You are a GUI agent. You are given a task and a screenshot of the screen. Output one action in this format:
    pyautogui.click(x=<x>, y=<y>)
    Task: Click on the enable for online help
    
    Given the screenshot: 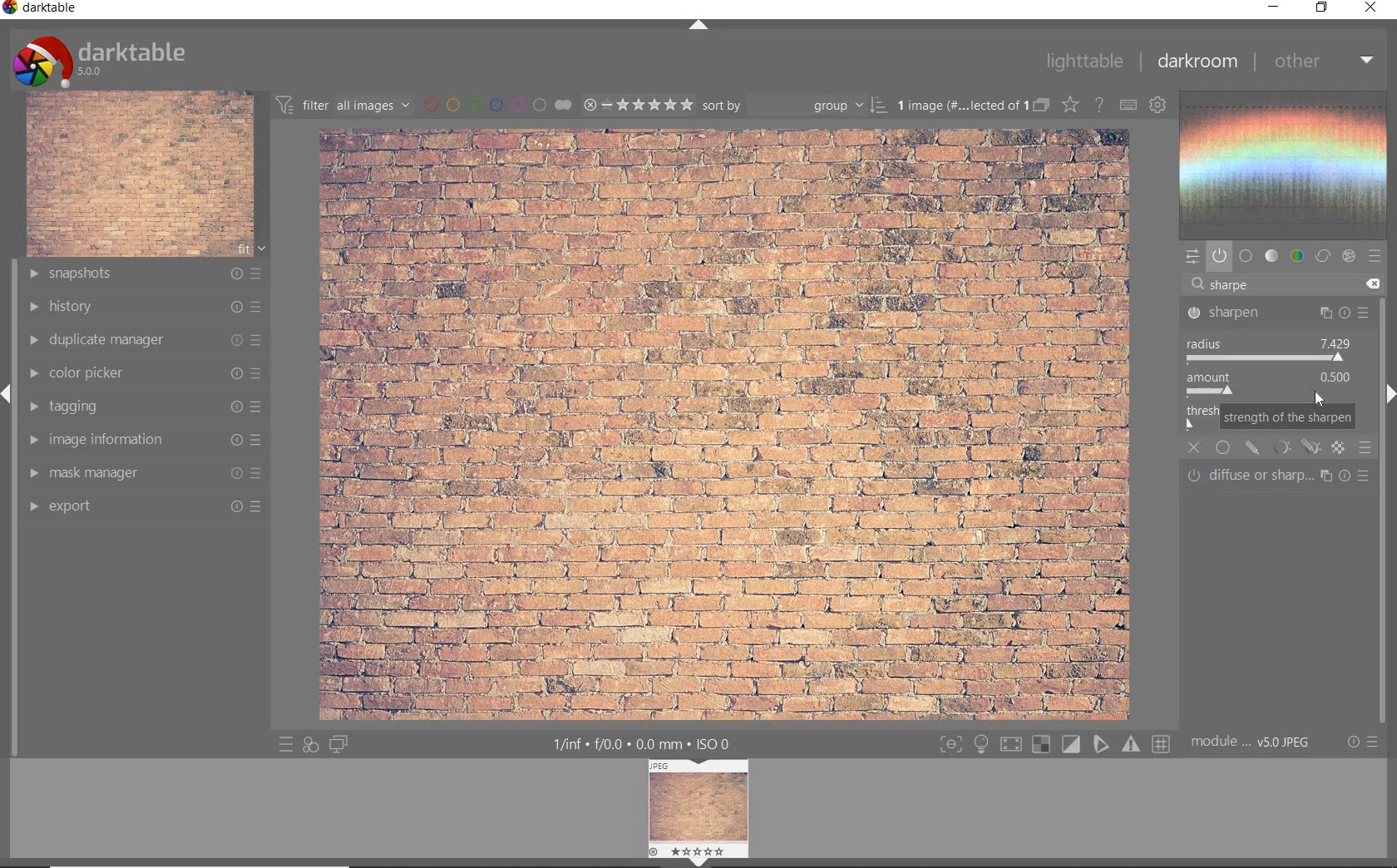 What is the action you would take?
    pyautogui.click(x=1098, y=106)
    